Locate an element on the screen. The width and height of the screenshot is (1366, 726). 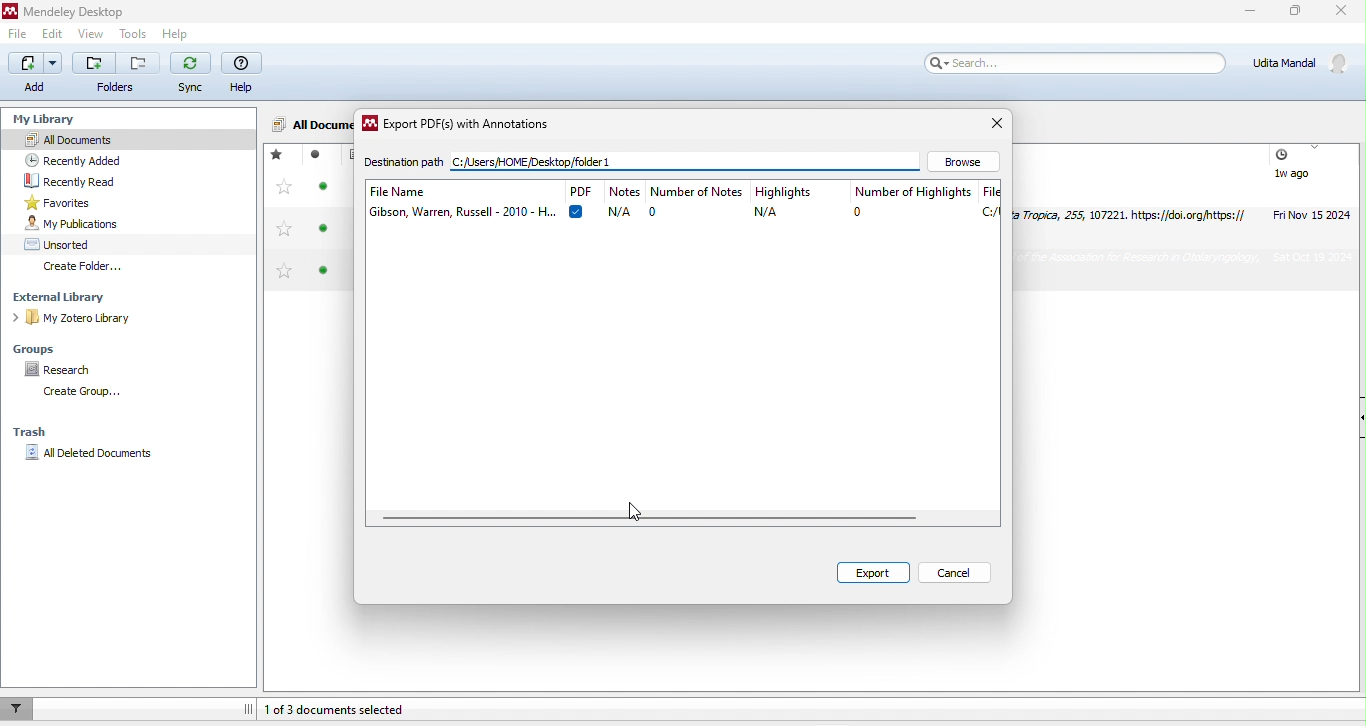
udita mandal is located at coordinates (1305, 64).